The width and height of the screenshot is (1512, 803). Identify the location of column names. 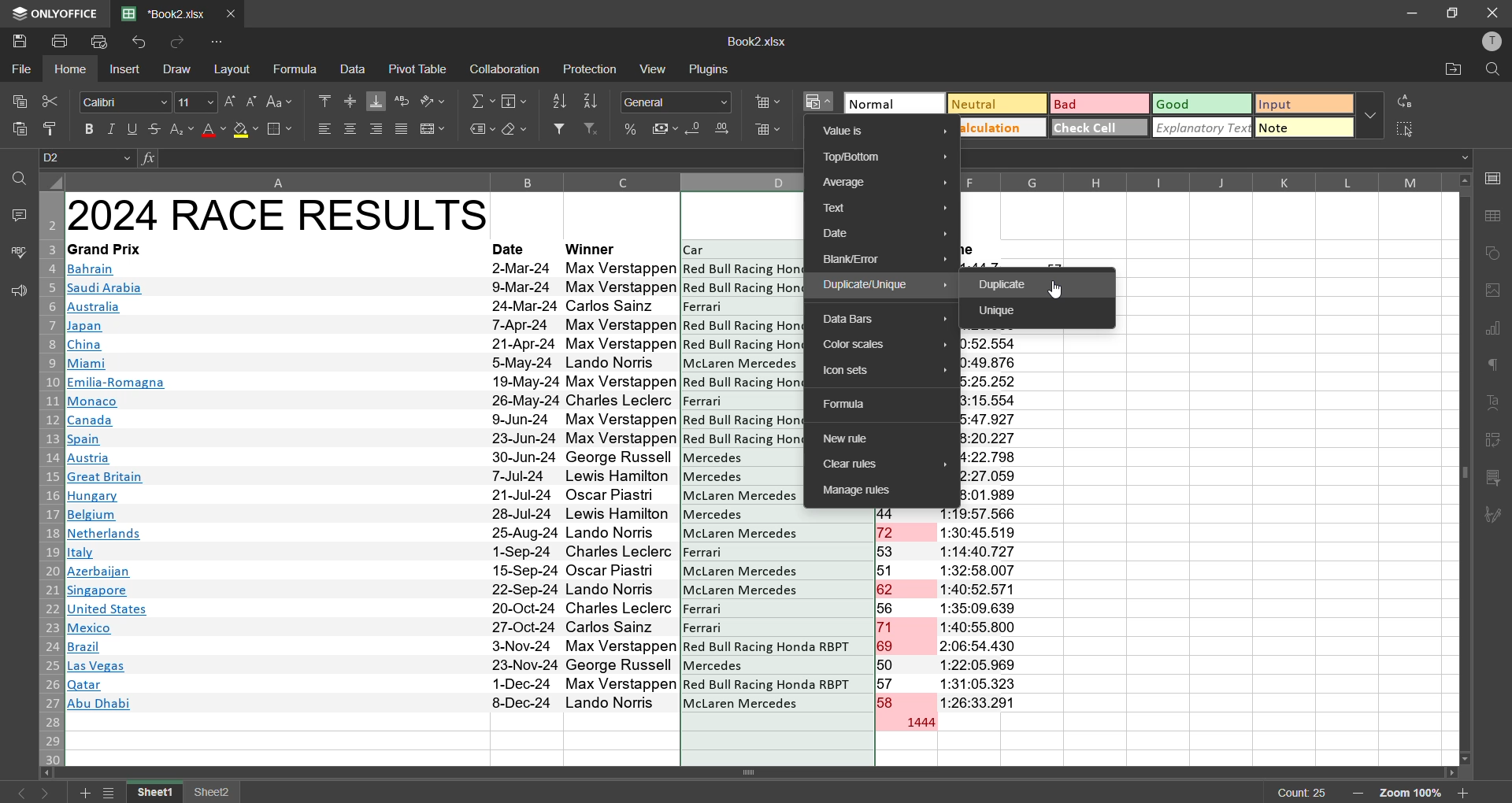
(435, 181).